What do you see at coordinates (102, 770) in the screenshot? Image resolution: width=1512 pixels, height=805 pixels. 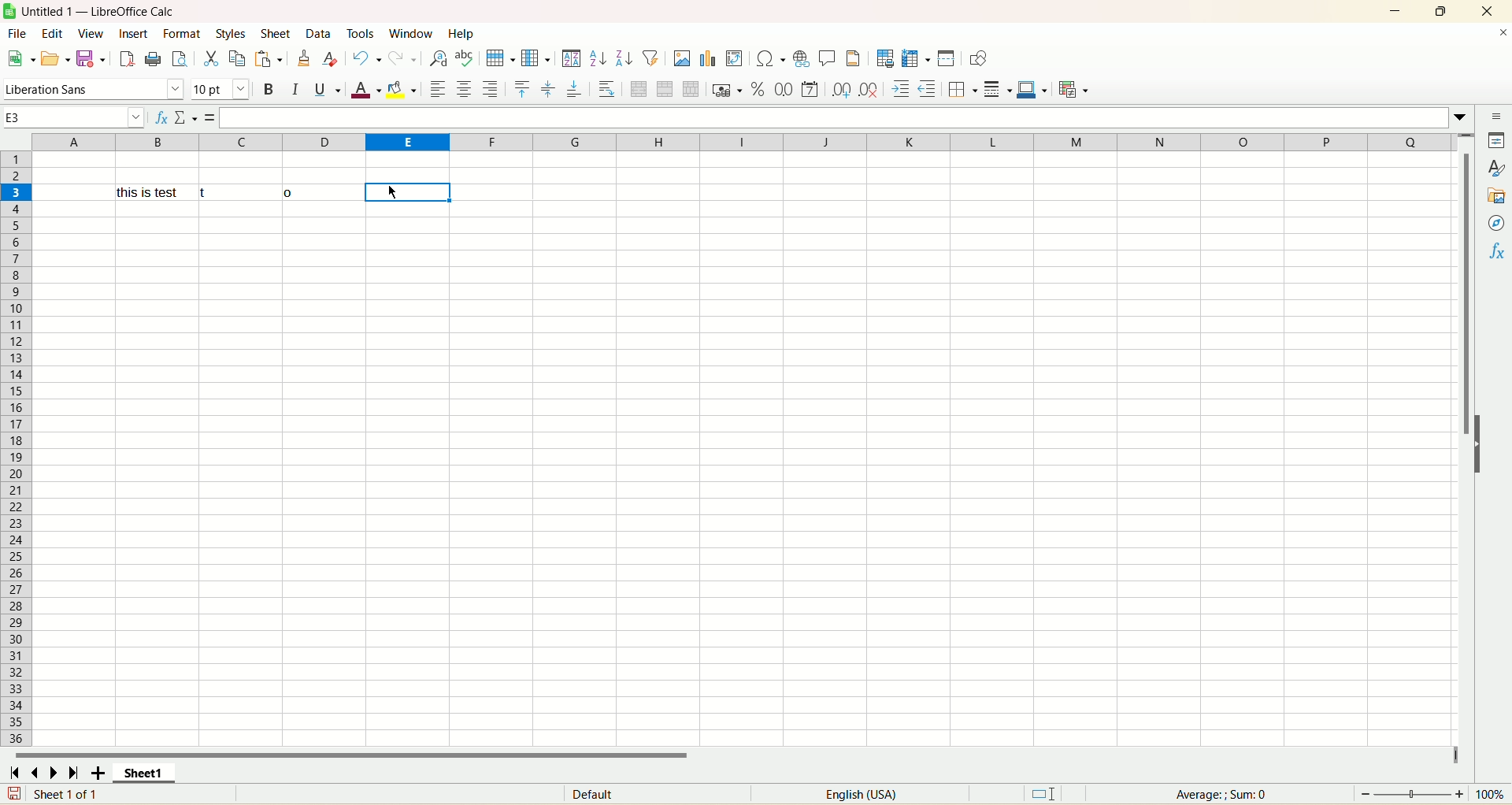 I see `add sheet` at bounding box center [102, 770].